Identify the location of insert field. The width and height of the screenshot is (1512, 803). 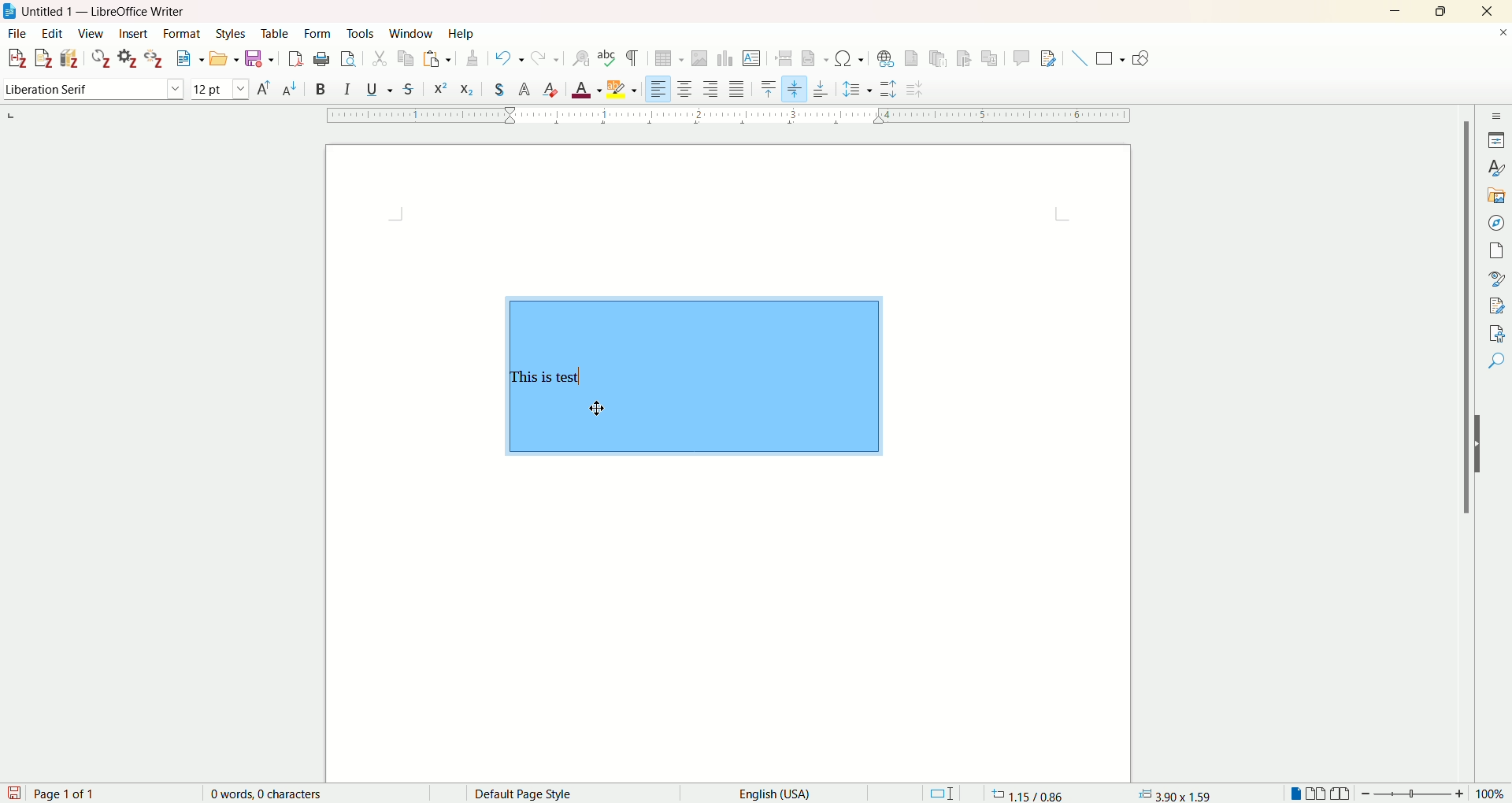
(817, 59).